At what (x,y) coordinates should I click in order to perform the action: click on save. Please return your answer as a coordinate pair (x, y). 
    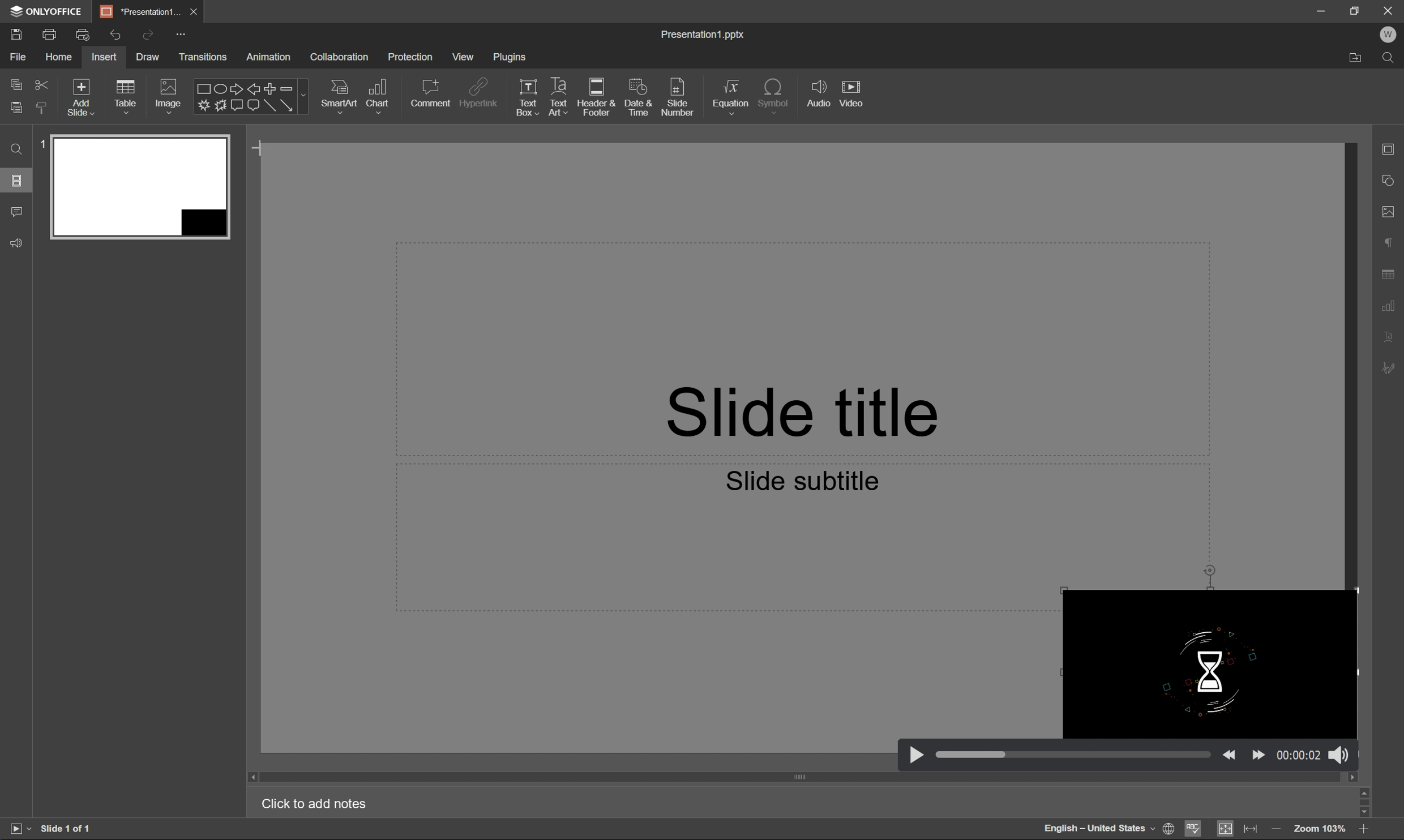
    Looking at the image, I should click on (14, 32).